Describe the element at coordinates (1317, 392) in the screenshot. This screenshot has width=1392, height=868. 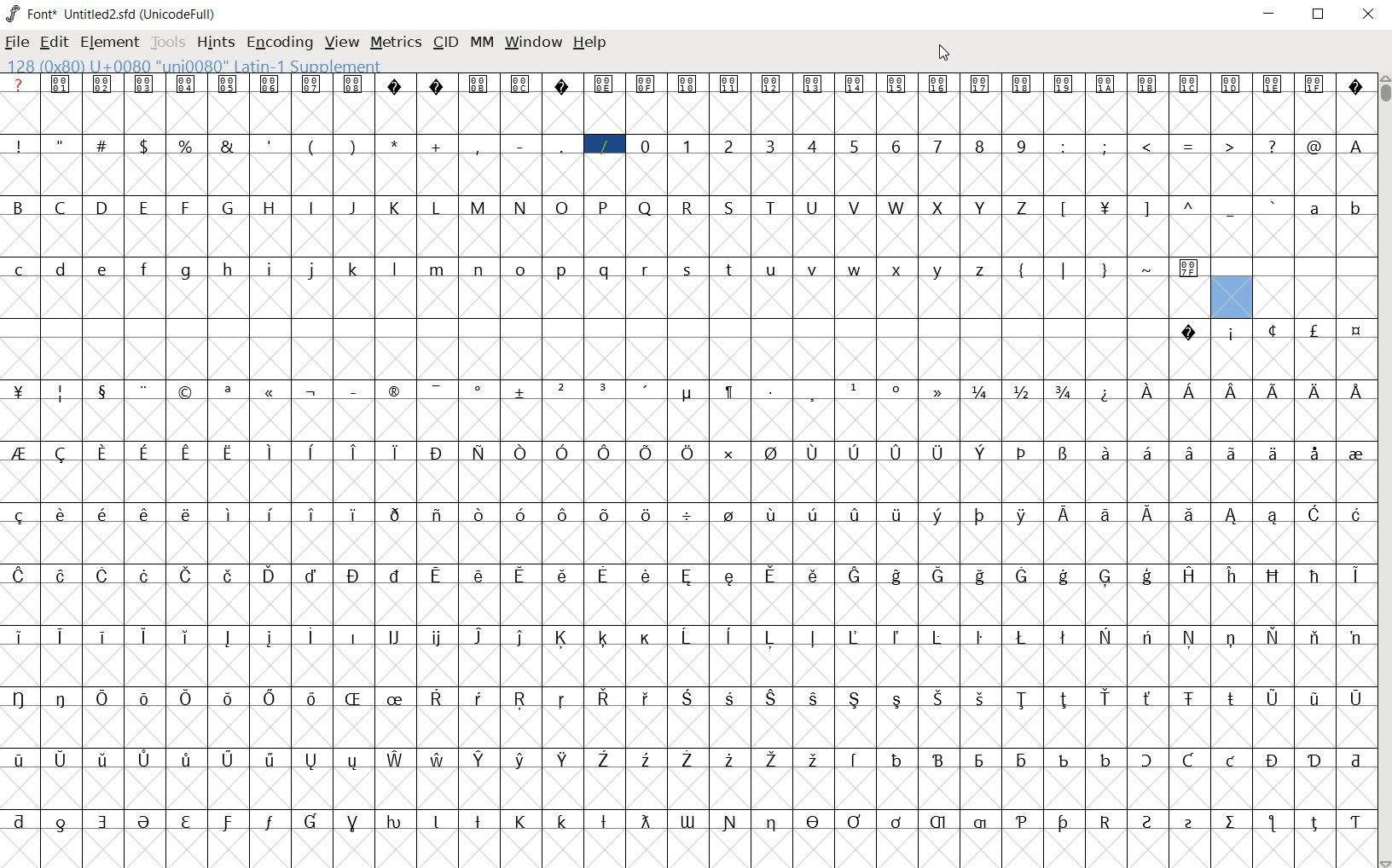
I see `glyph` at that location.